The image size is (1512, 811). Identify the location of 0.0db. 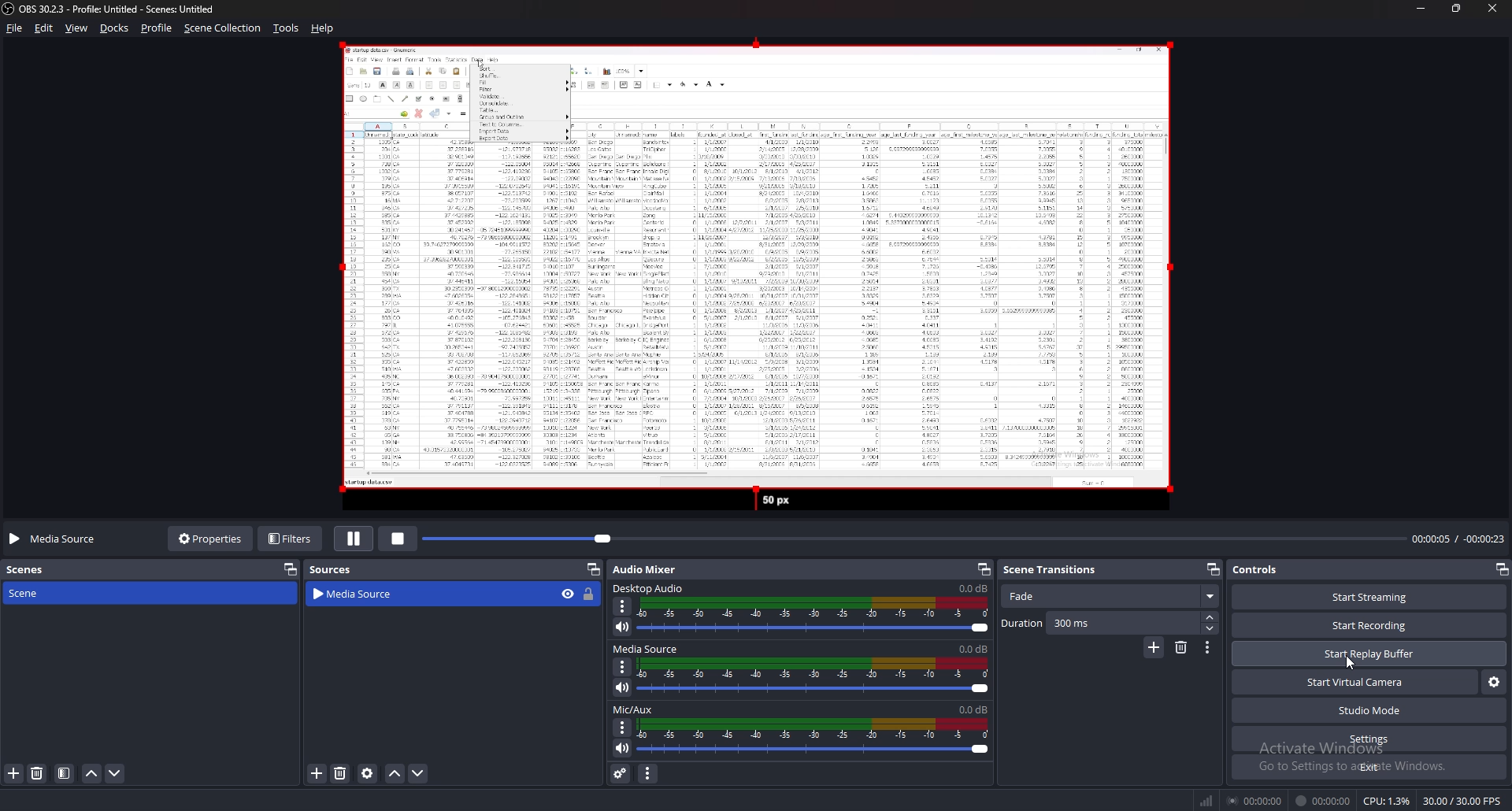
(975, 648).